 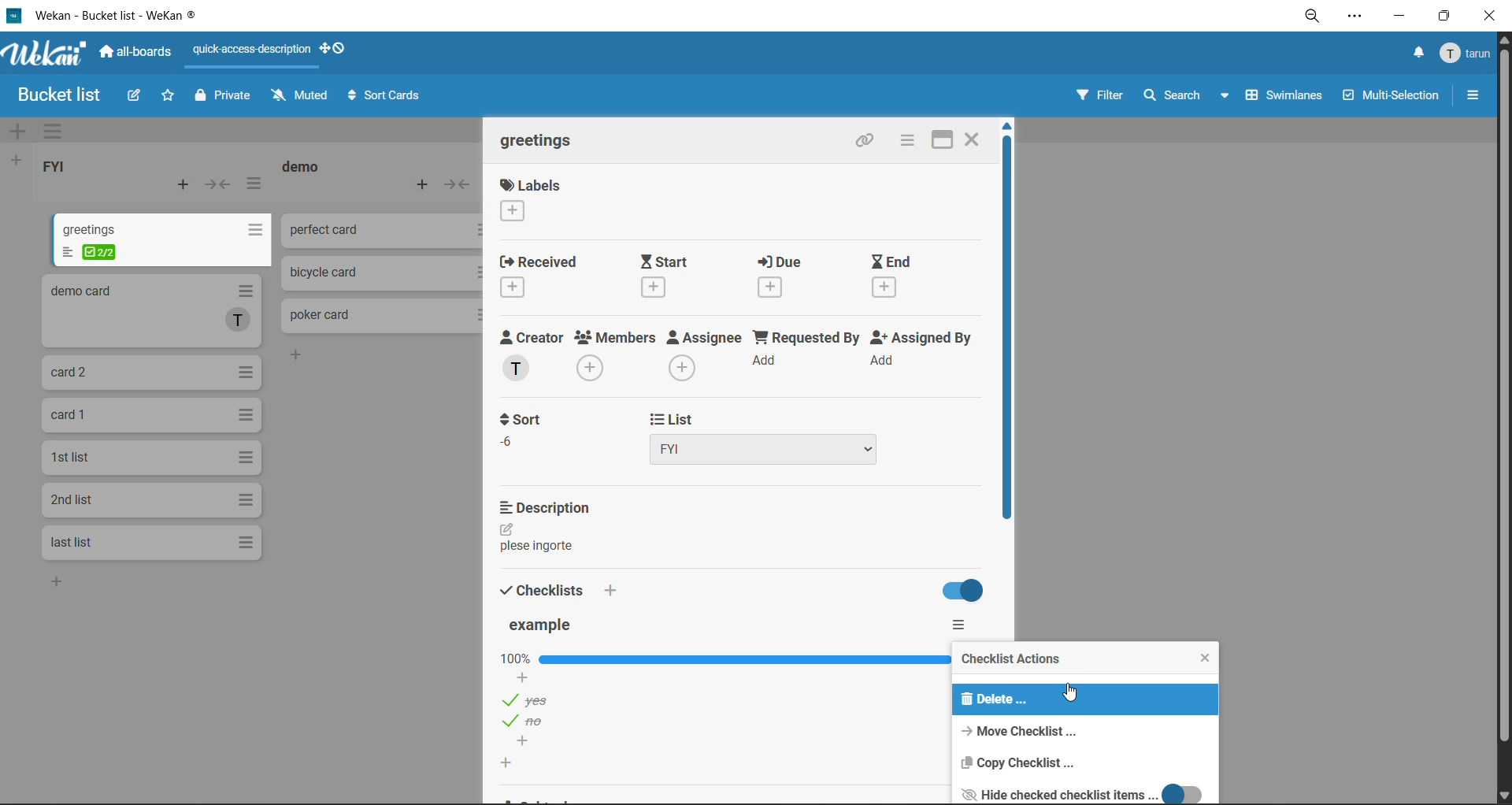 I want to click on star, so click(x=171, y=95).